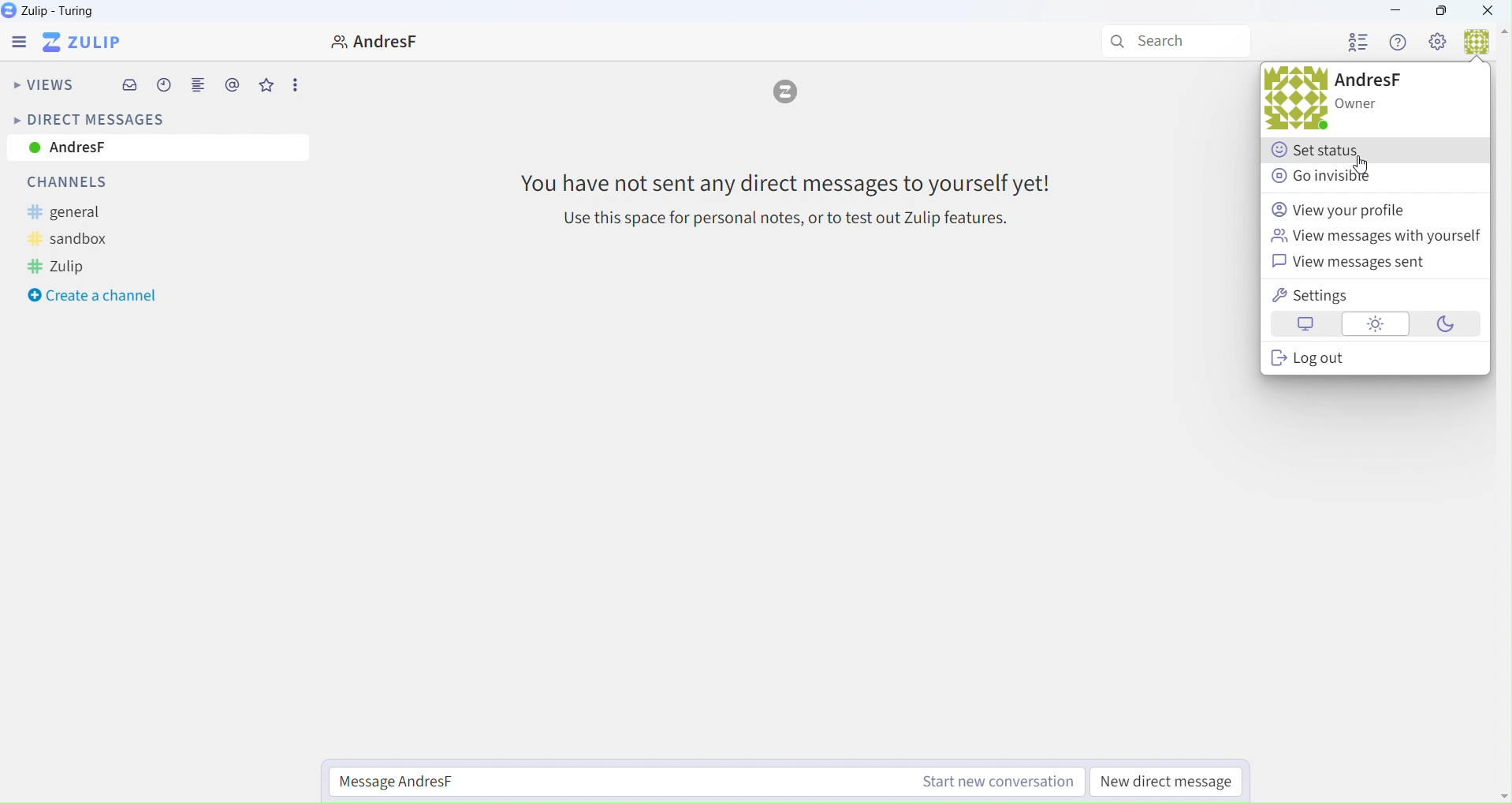 This screenshot has width=1512, height=803. Describe the element at coordinates (1376, 325) in the screenshot. I see `View Options` at that location.